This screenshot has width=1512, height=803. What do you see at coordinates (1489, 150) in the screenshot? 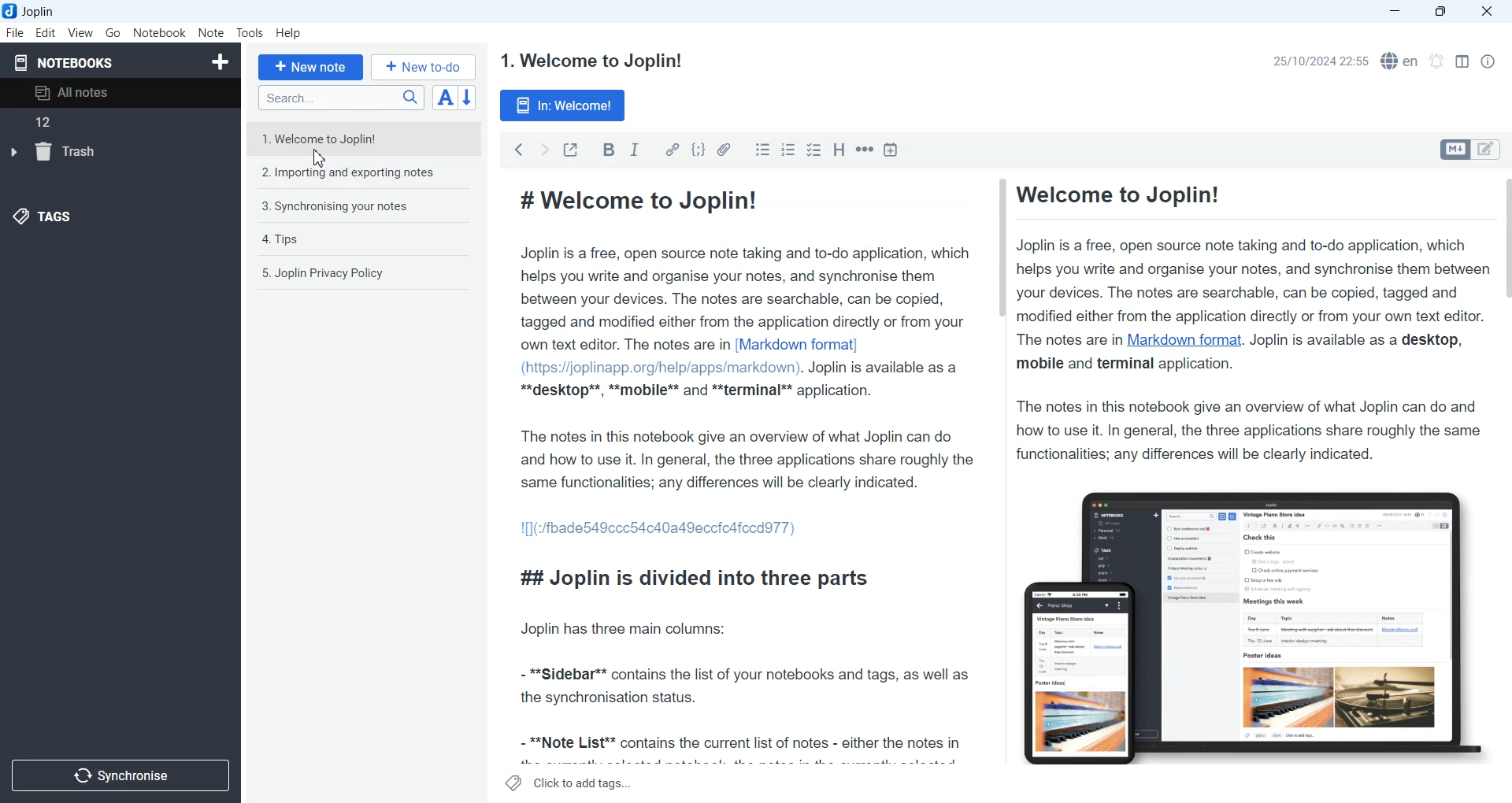
I see `Toggle editors` at bounding box center [1489, 150].